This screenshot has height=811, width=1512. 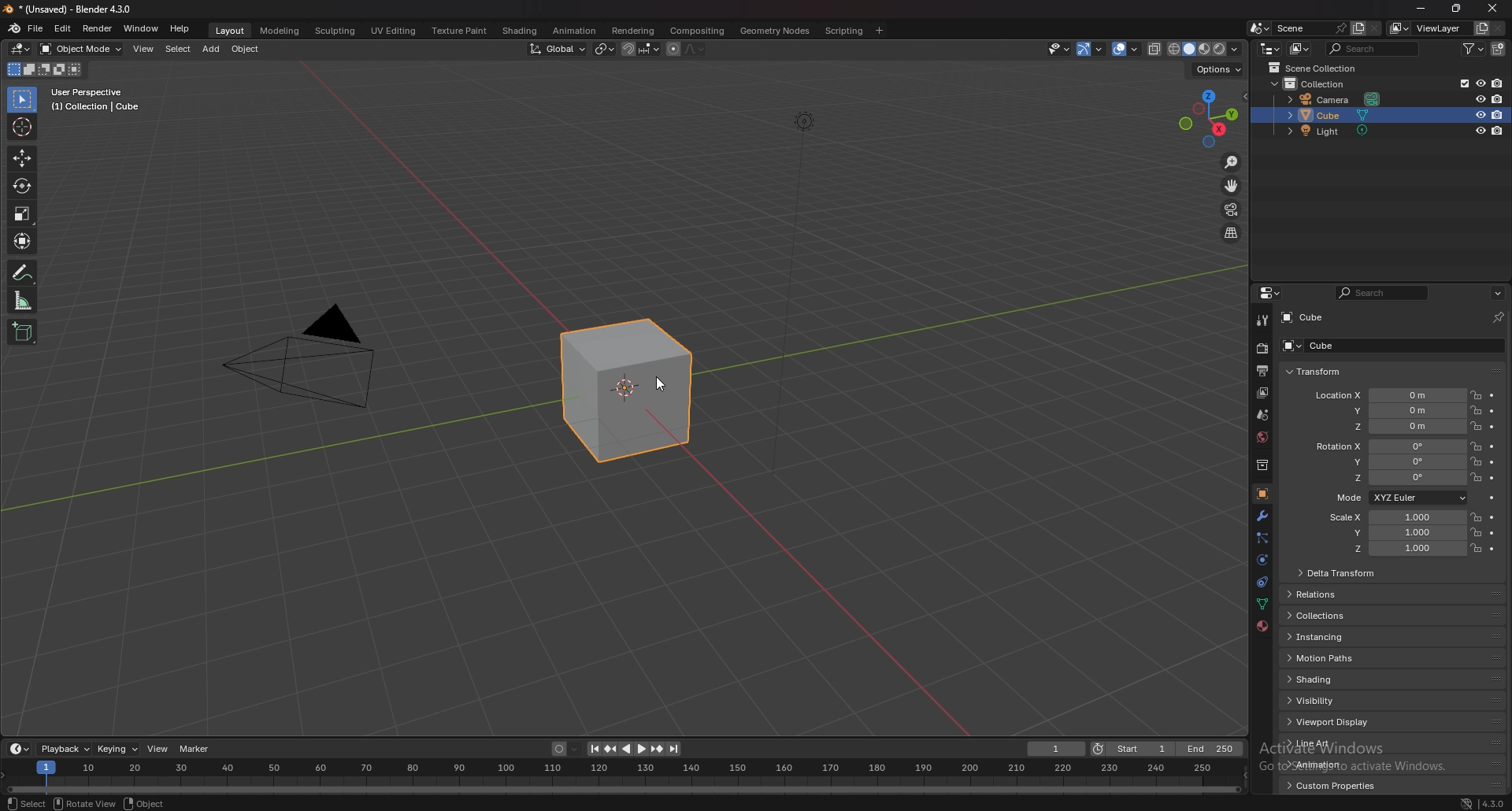 What do you see at coordinates (1493, 462) in the screenshot?
I see `animate property` at bounding box center [1493, 462].